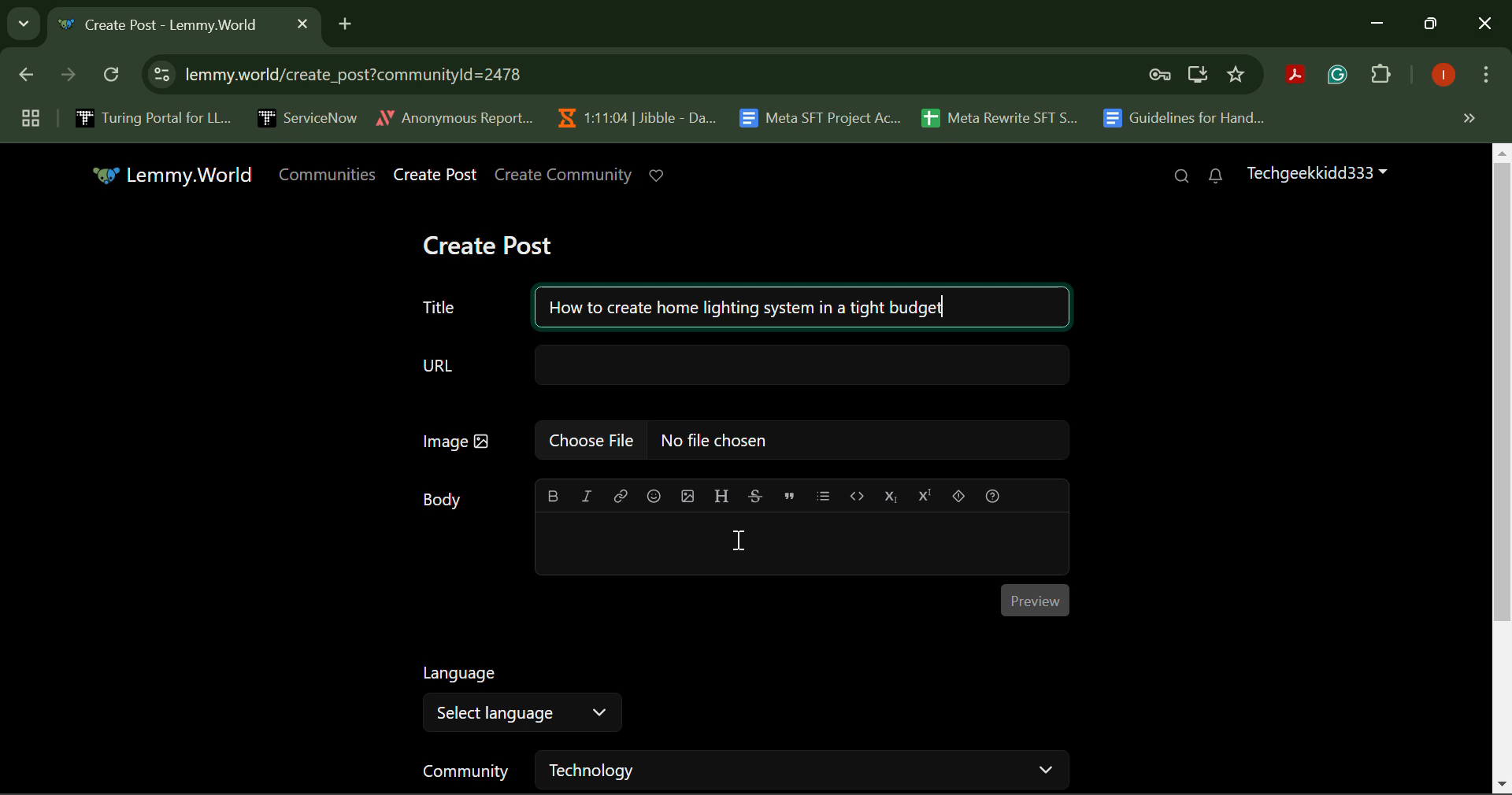 The width and height of the screenshot is (1512, 795). What do you see at coordinates (30, 117) in the screenshot?
I see `Group Tabs` at bounding box center [30, 117].